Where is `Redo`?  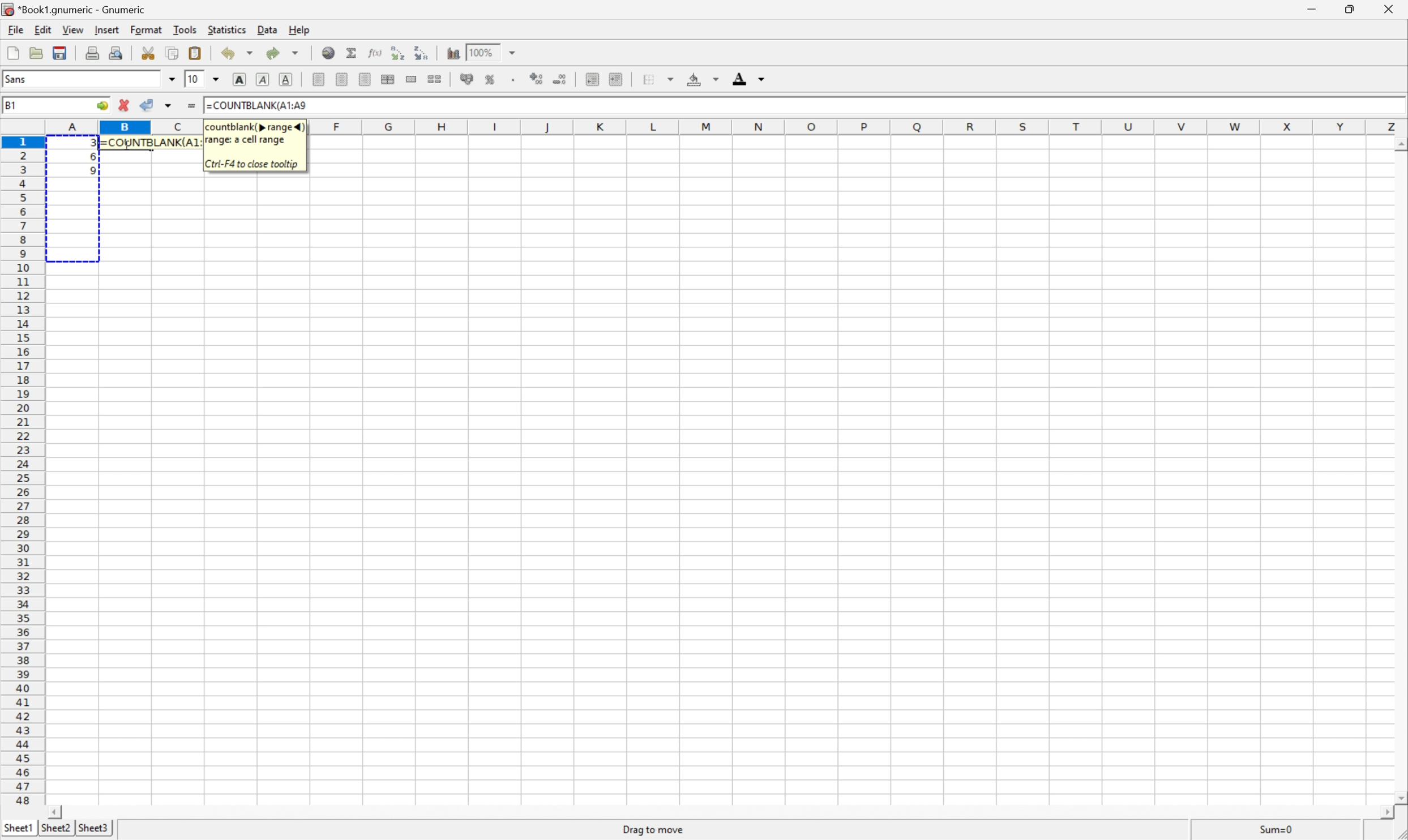
Redo is located at coordinates (281, 53).